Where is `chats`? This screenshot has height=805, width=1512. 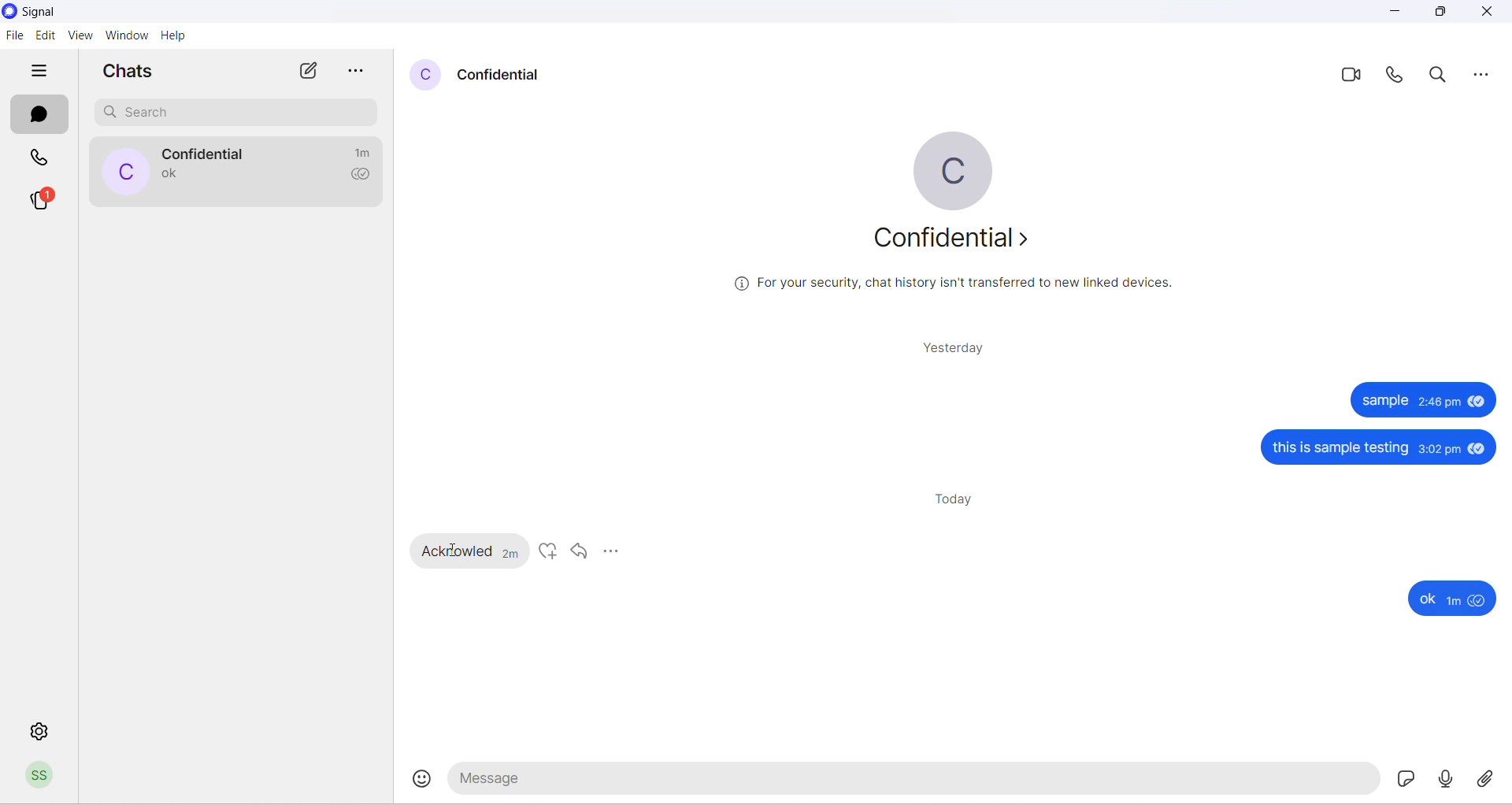
chats is located at coordinates (37, 114).